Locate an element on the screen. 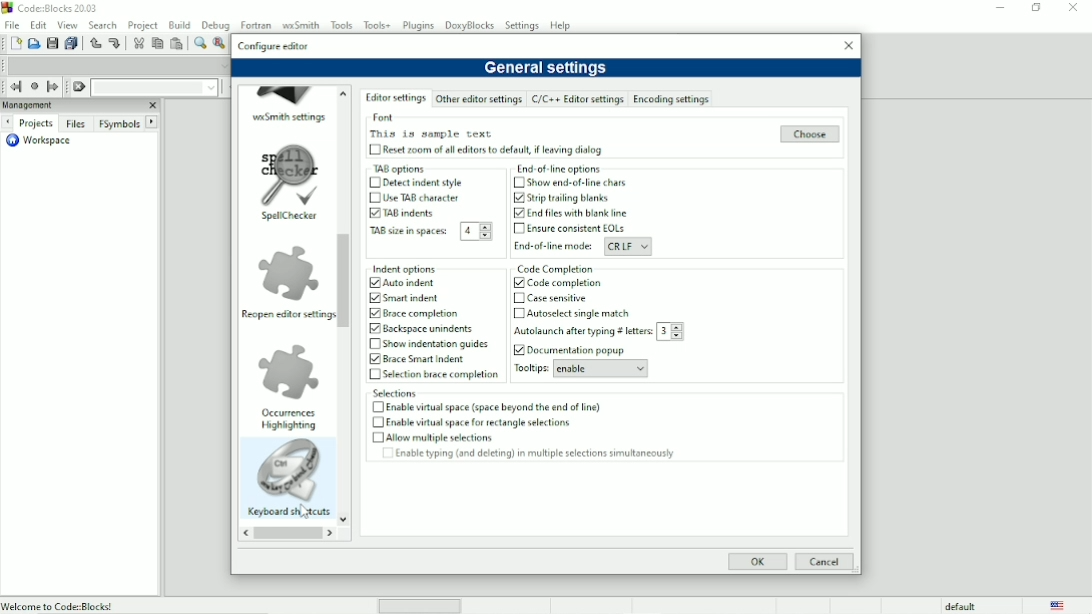 The image size is (1092, 614). View is located at coordinates (69, 24).